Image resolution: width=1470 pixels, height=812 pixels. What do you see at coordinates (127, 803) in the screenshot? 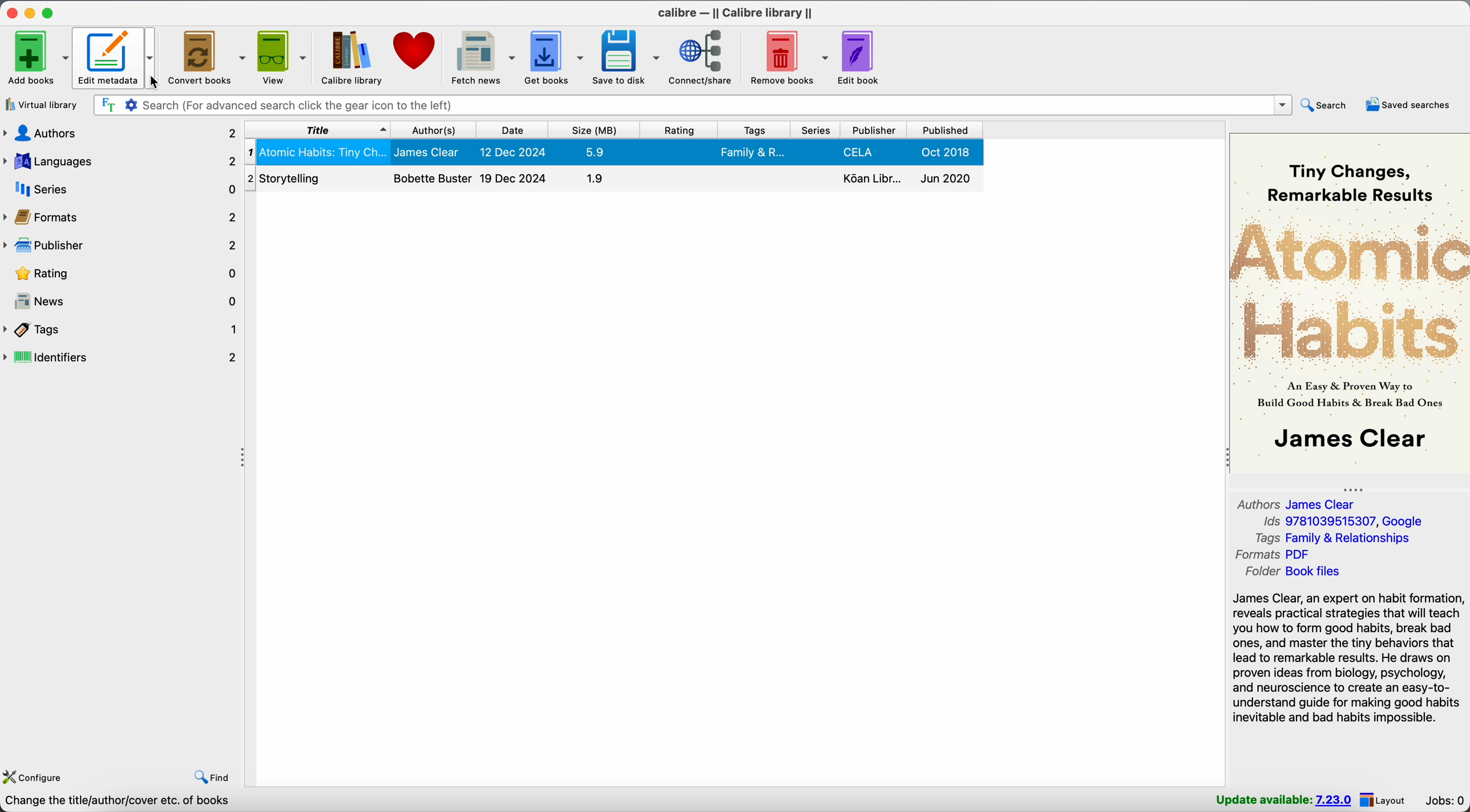
I see `Calibre 7.22 created by Kovid Goyal [2 books]` at bounding box center [127, 803].